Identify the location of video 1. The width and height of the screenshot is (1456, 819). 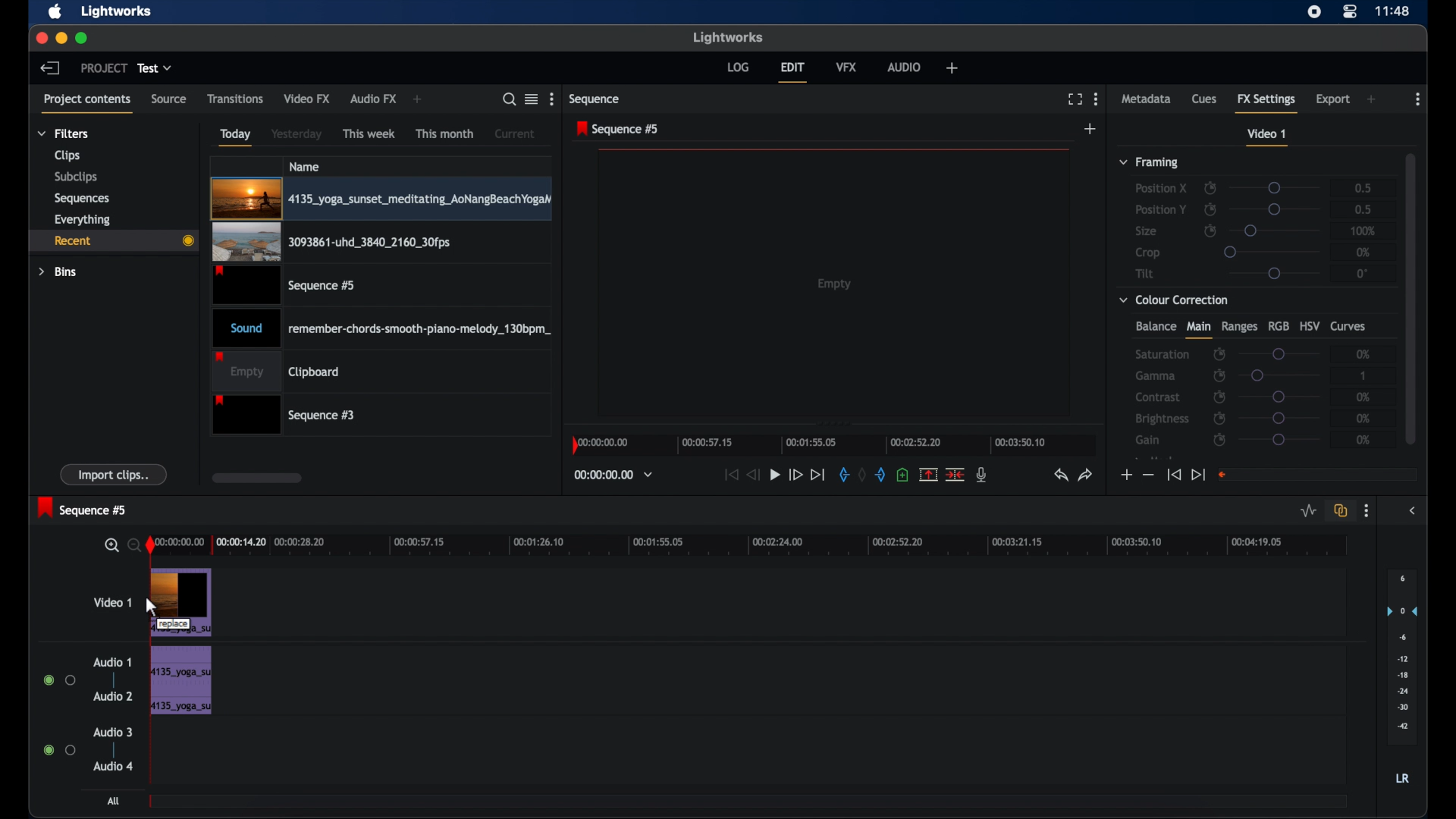
(1268, 137).